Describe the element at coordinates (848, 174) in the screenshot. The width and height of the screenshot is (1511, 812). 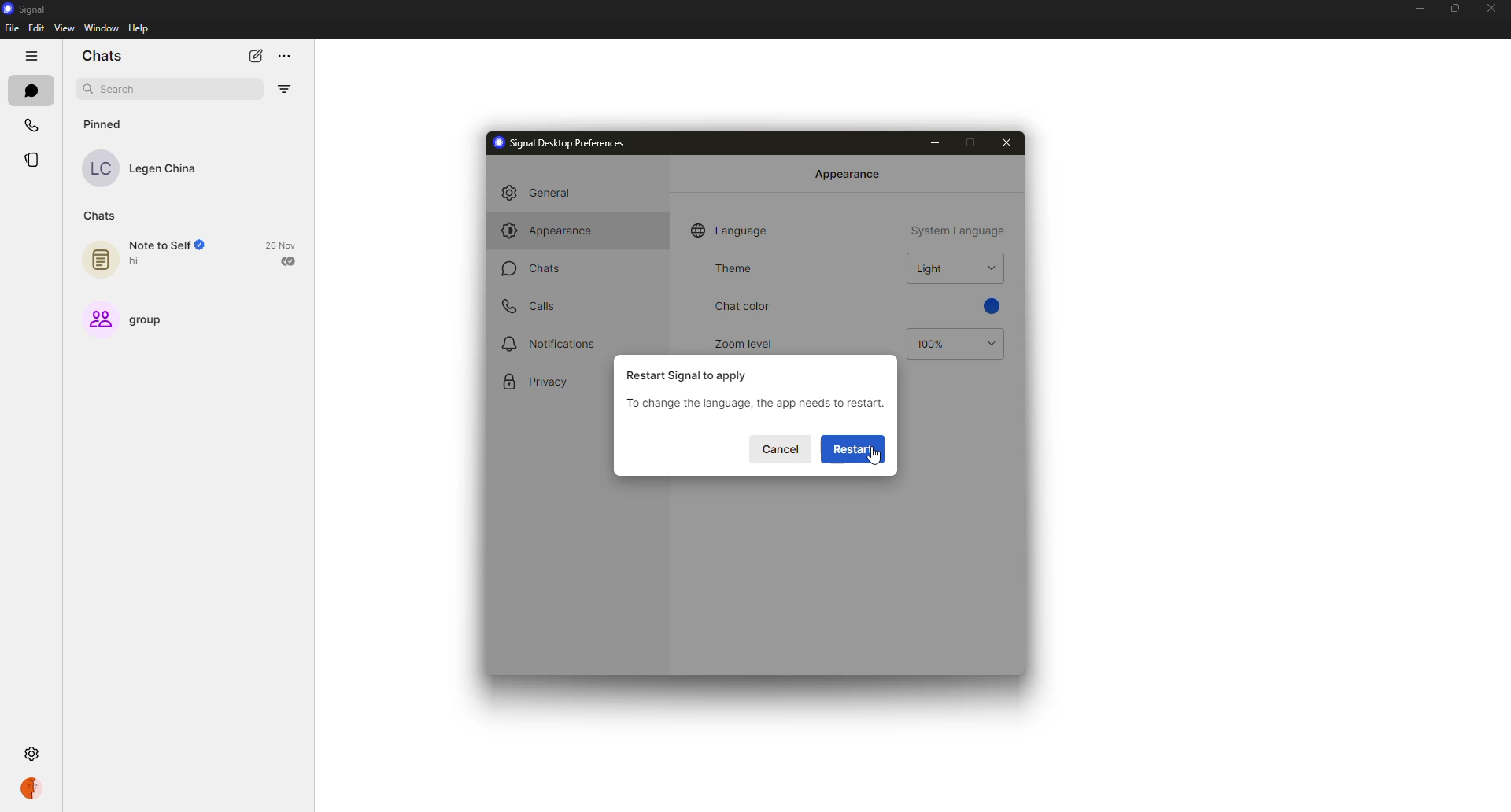
I see `appearance` at that location.